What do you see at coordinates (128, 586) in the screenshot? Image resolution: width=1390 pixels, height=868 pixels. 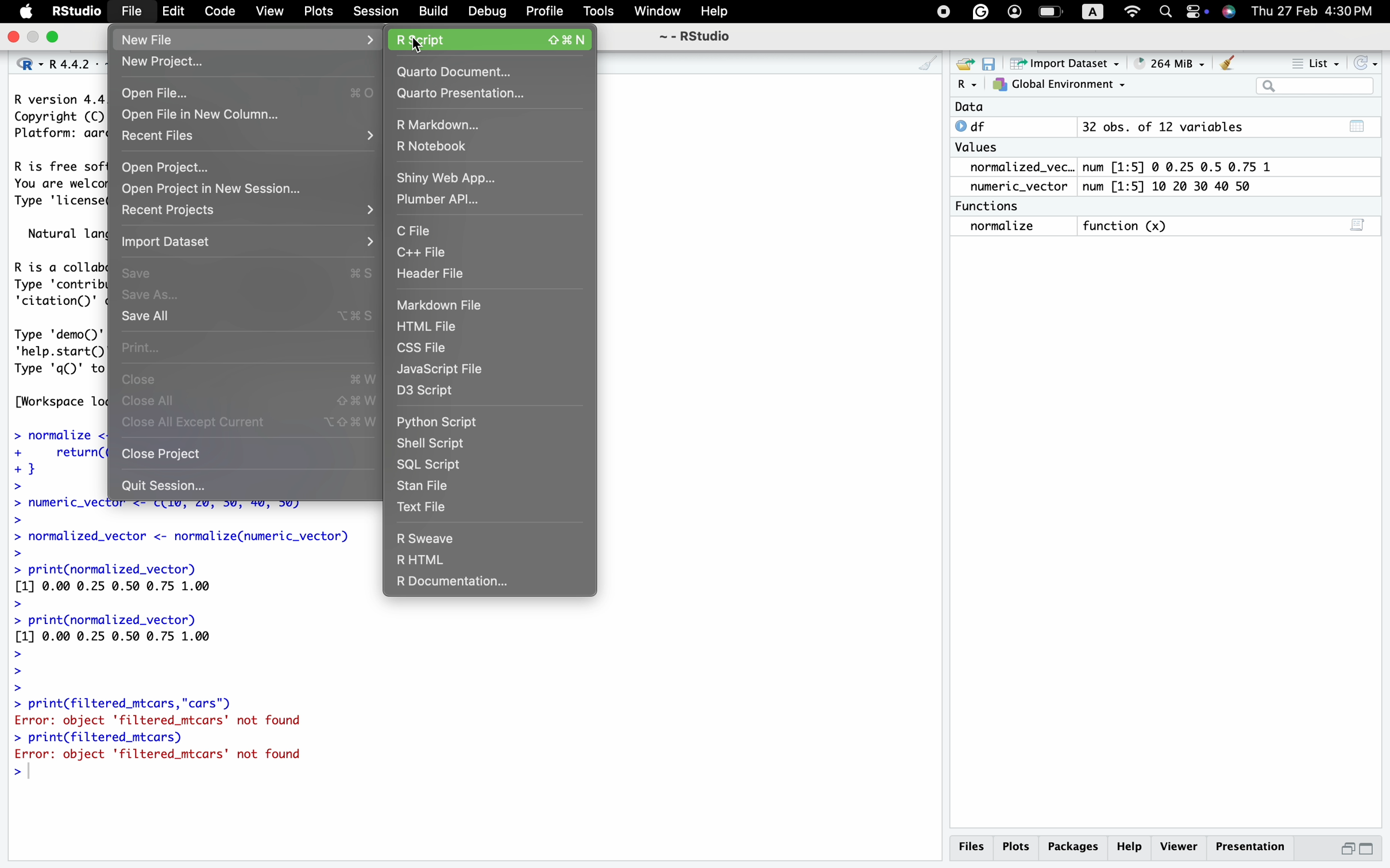 I see `> print(normatized_vector)
[1] 0.00 0.25 0.50 0.75 1.00` at bounding box center [128, 586].